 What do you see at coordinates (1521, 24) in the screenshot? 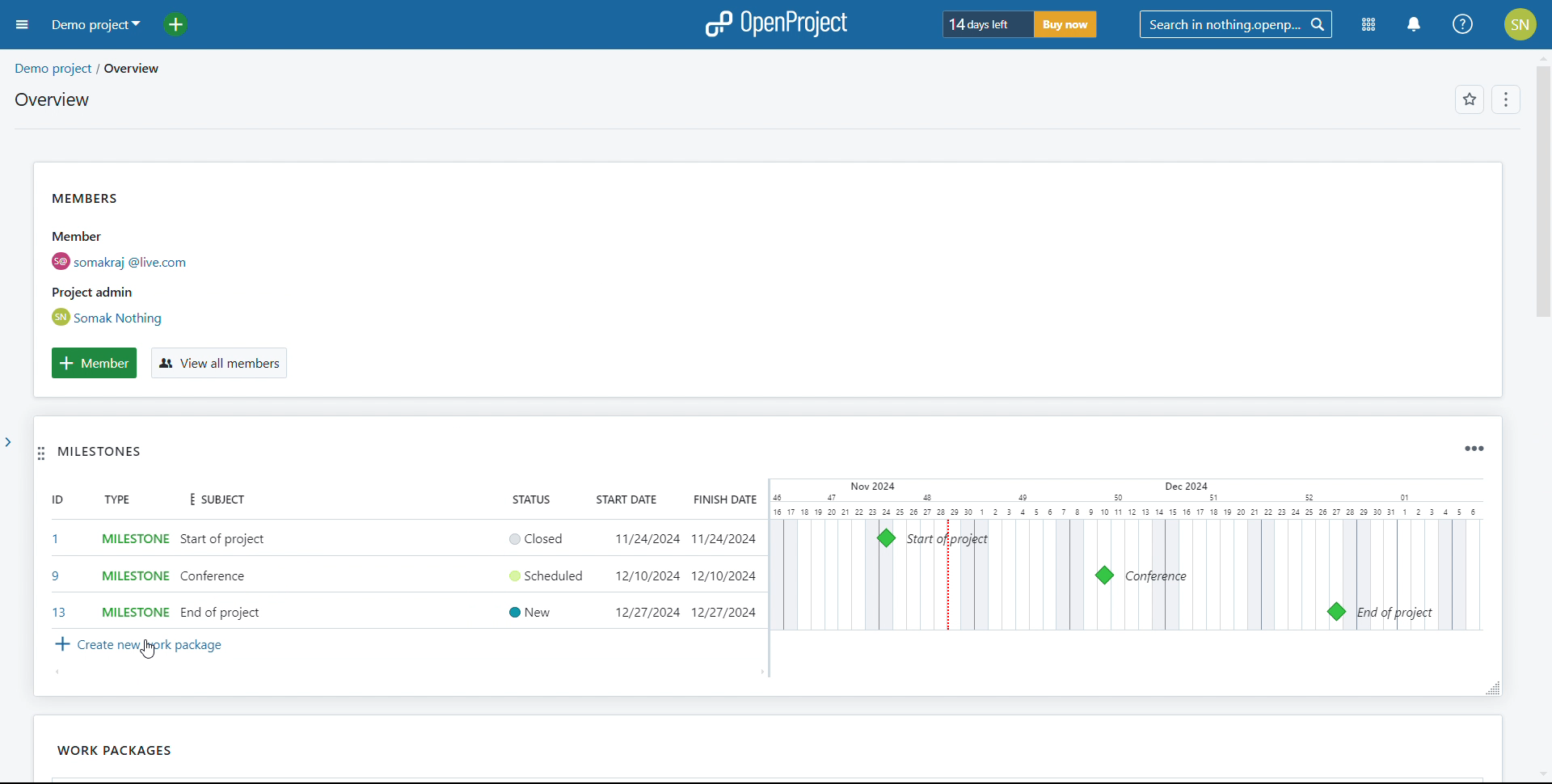
I see `account` at bounding box center [1521, 24].